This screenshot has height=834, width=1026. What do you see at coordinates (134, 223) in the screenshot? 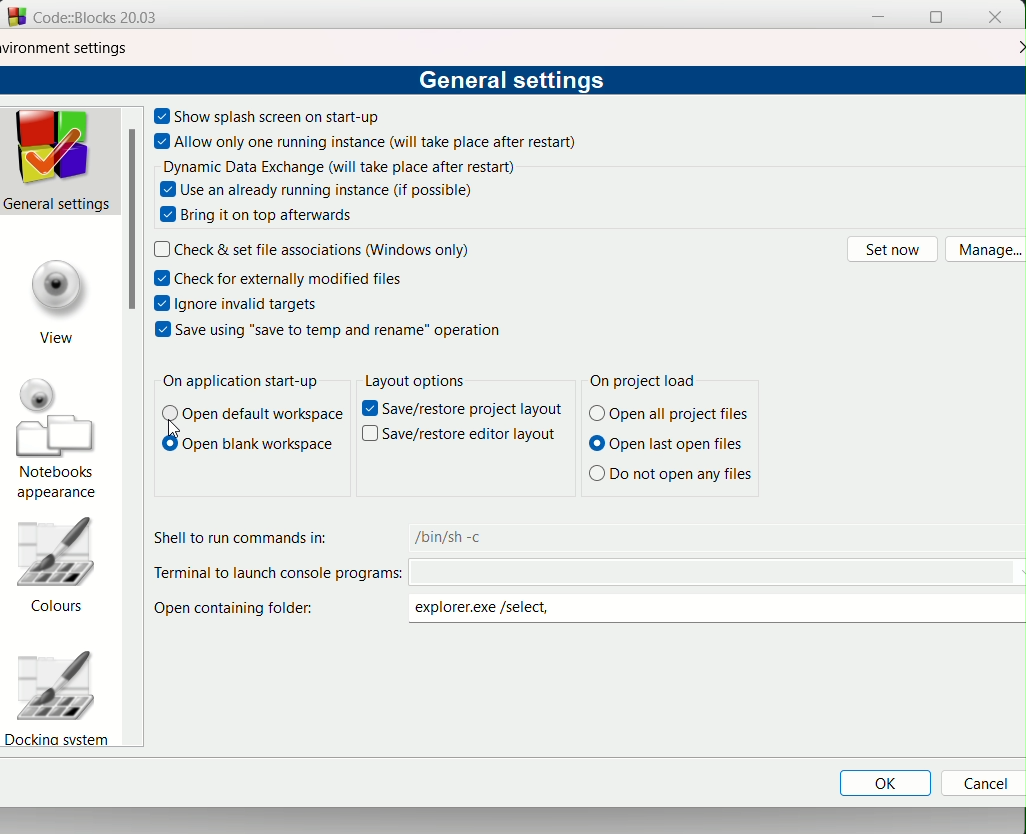
I see `scrollbar` at bounding box center [134, 223].